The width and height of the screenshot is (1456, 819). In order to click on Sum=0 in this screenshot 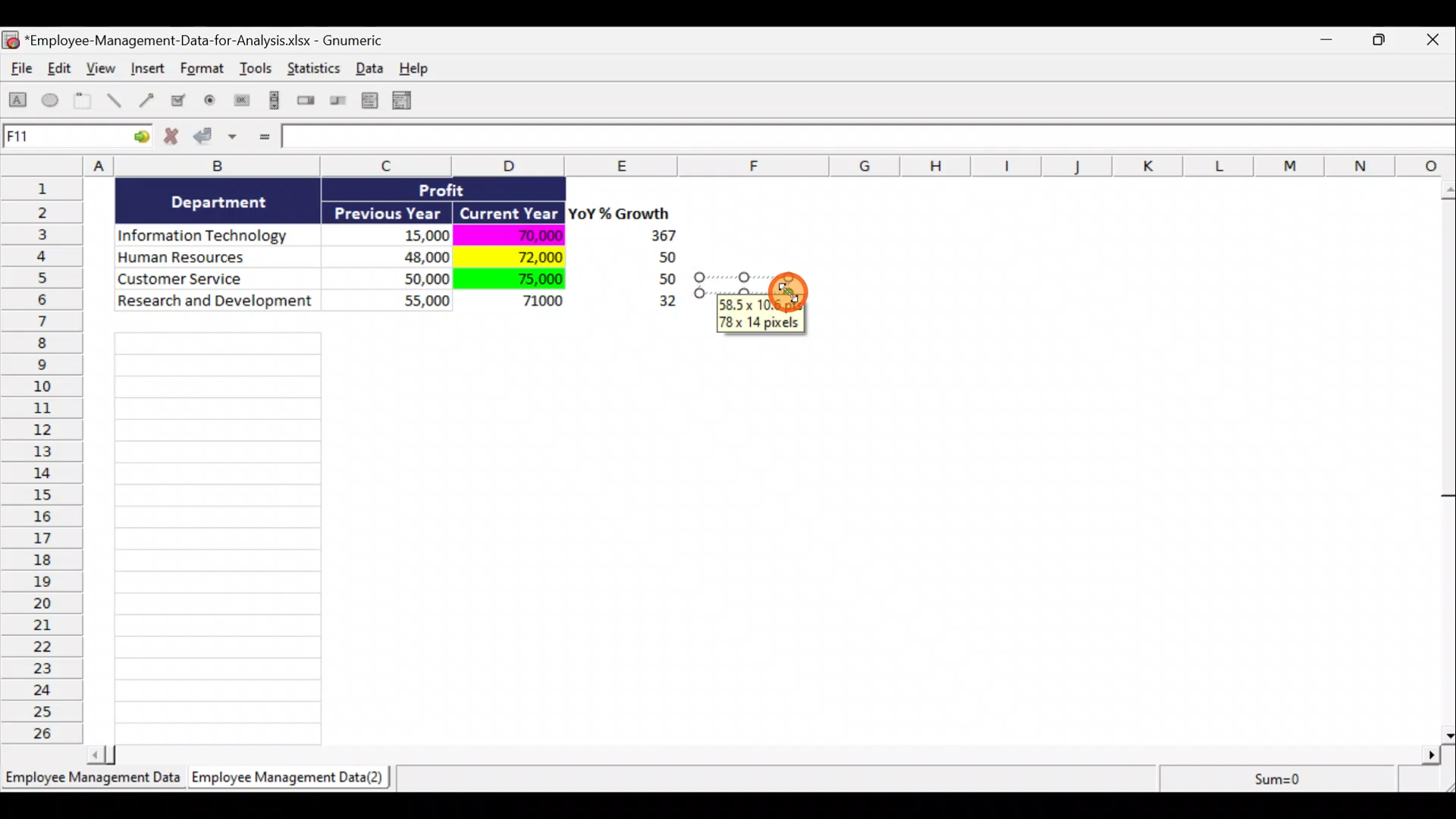, I will do `click(1275, 779)`.